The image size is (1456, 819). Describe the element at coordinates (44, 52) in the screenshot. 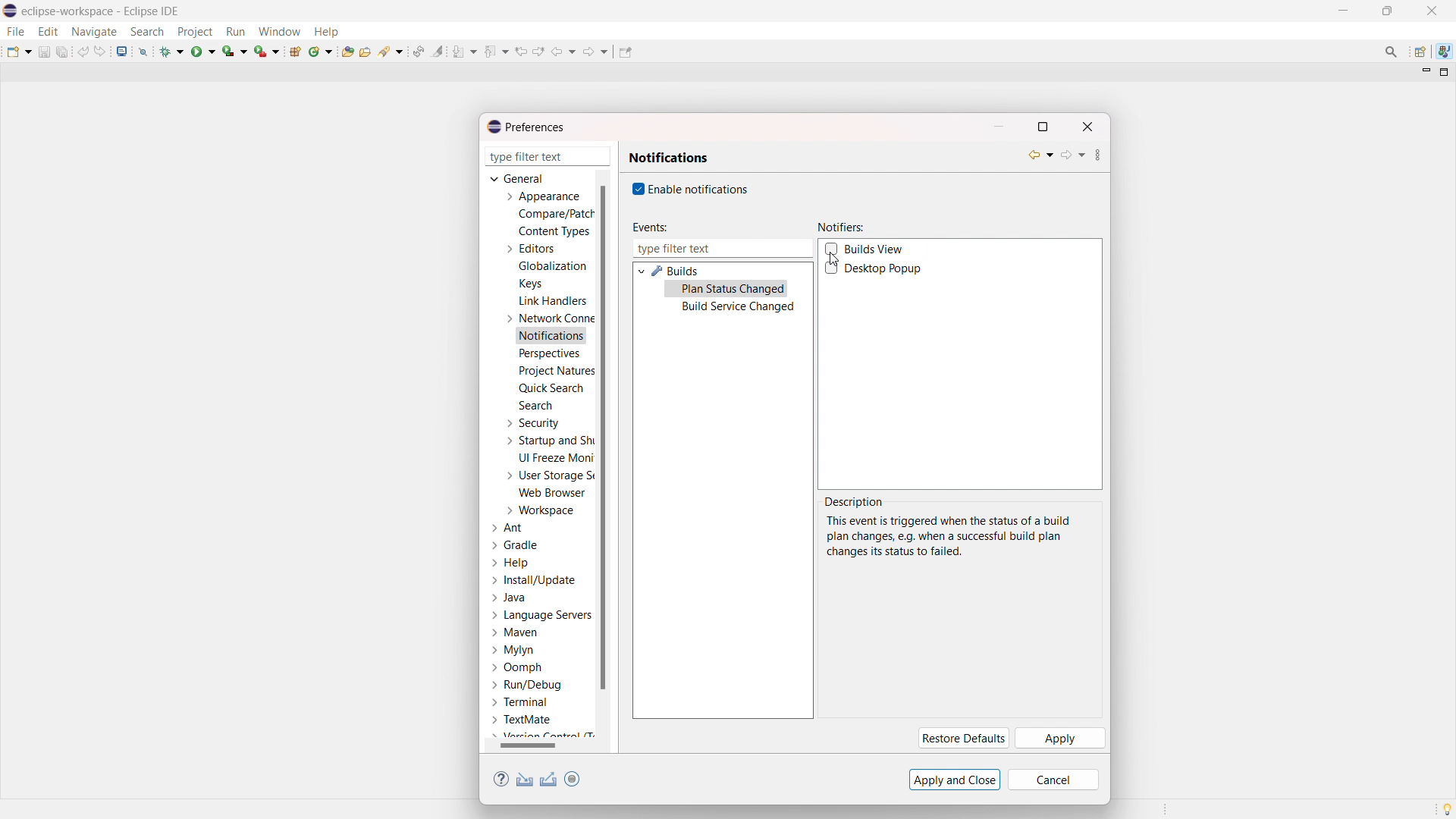

I see `save` at that location.